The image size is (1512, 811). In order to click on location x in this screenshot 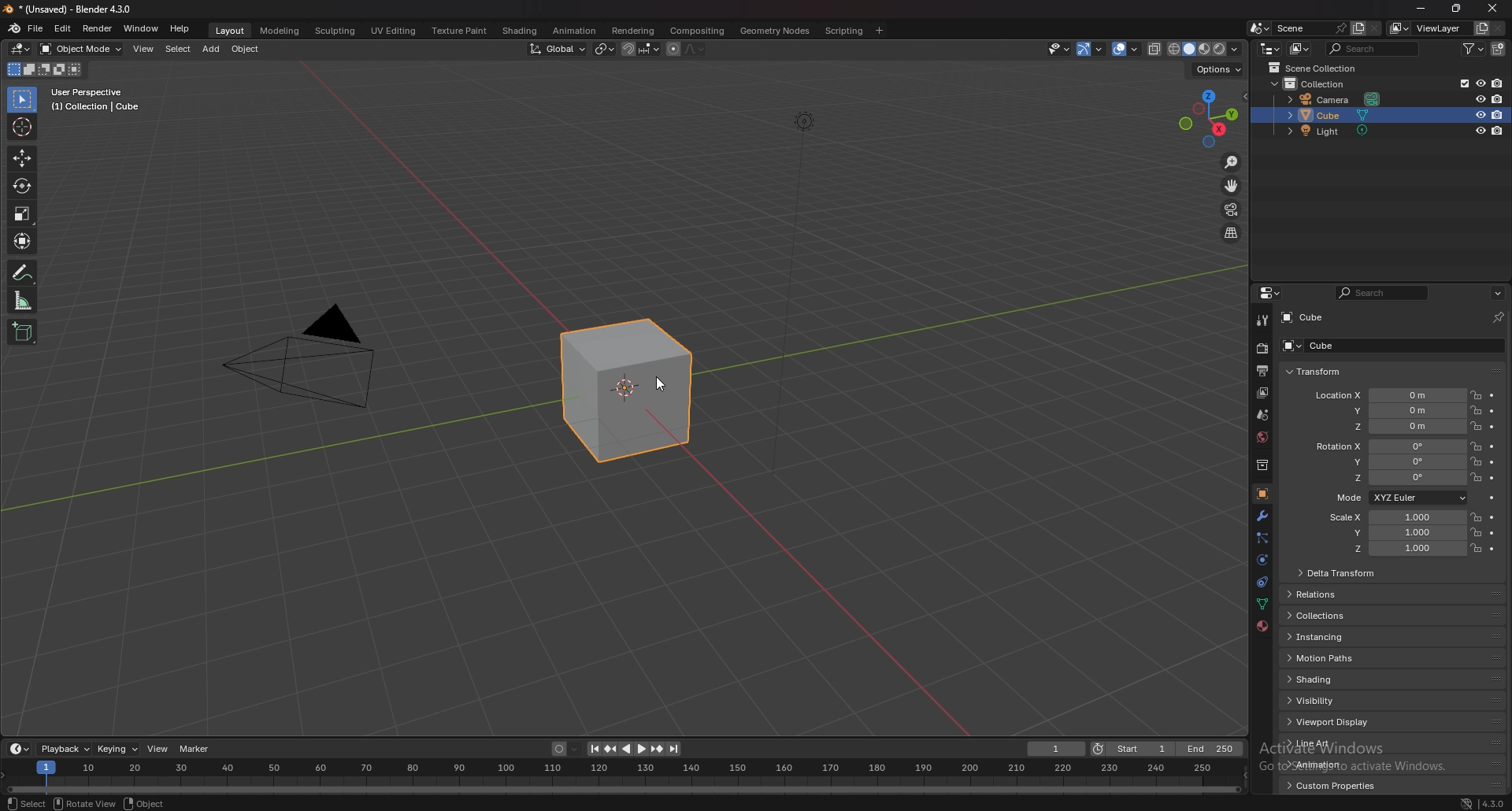, I will do `click(1388, 396)`.